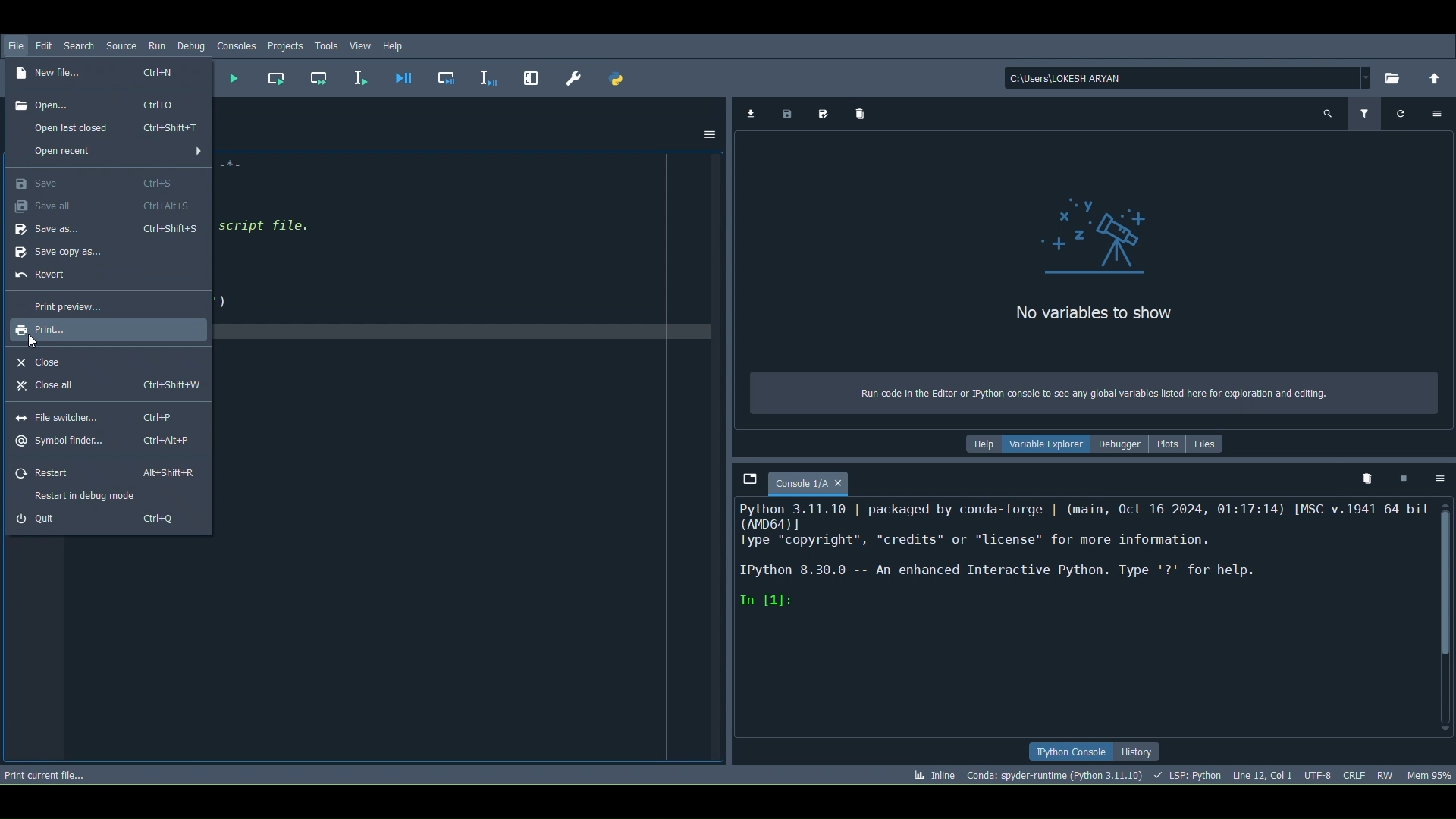 The image size is (1456, 819). What do you see at coordinates (1328, 114) in the screenshot?
I see `Search variable names and types (Ctrl + F)` at bounding box center [1328, 114].